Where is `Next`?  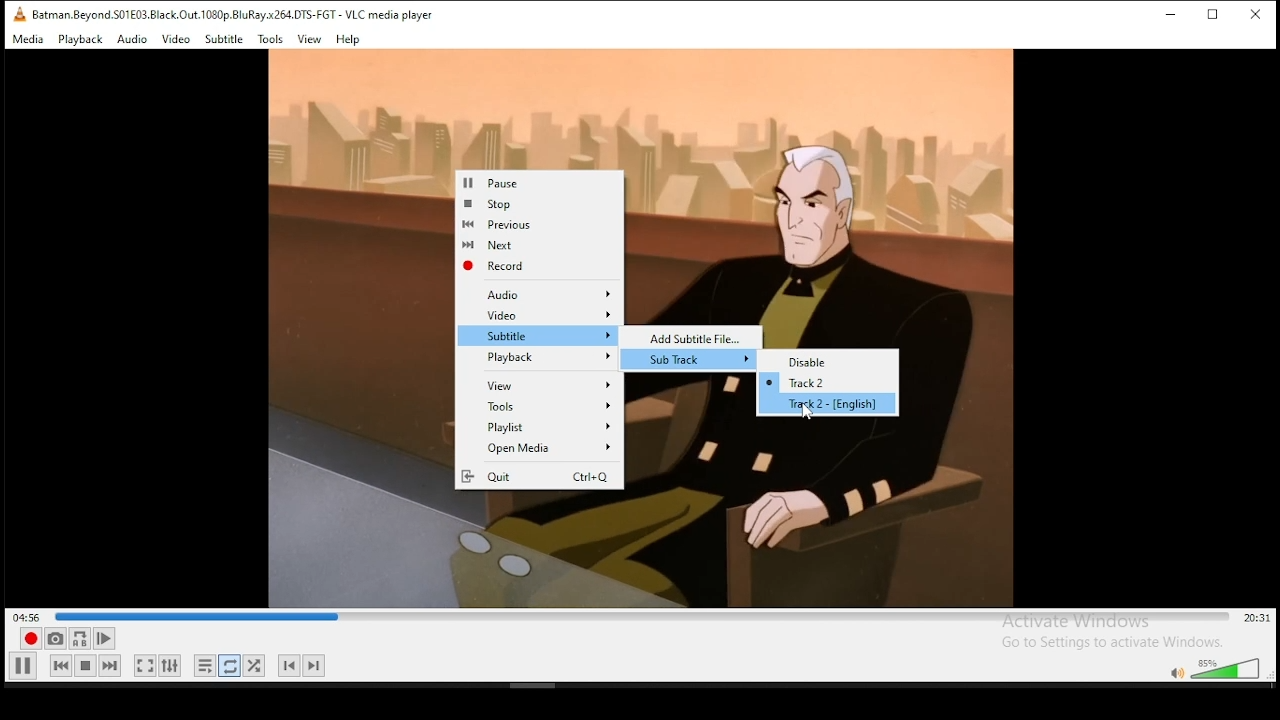
Next is located at coordinates (536, 244).